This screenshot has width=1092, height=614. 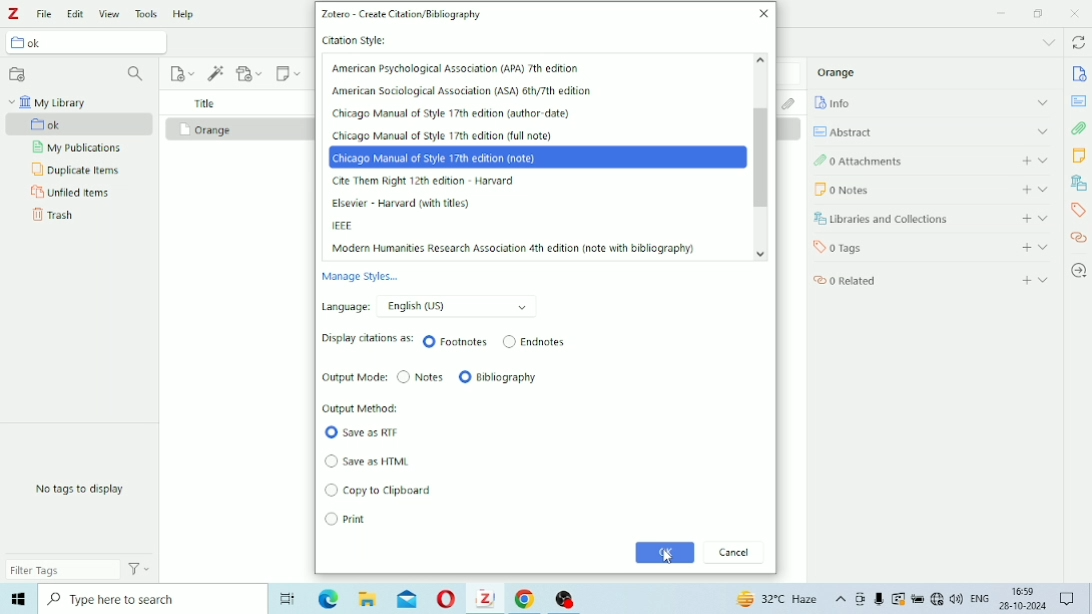 I want to click on Actions, so click(x=140, y=568).